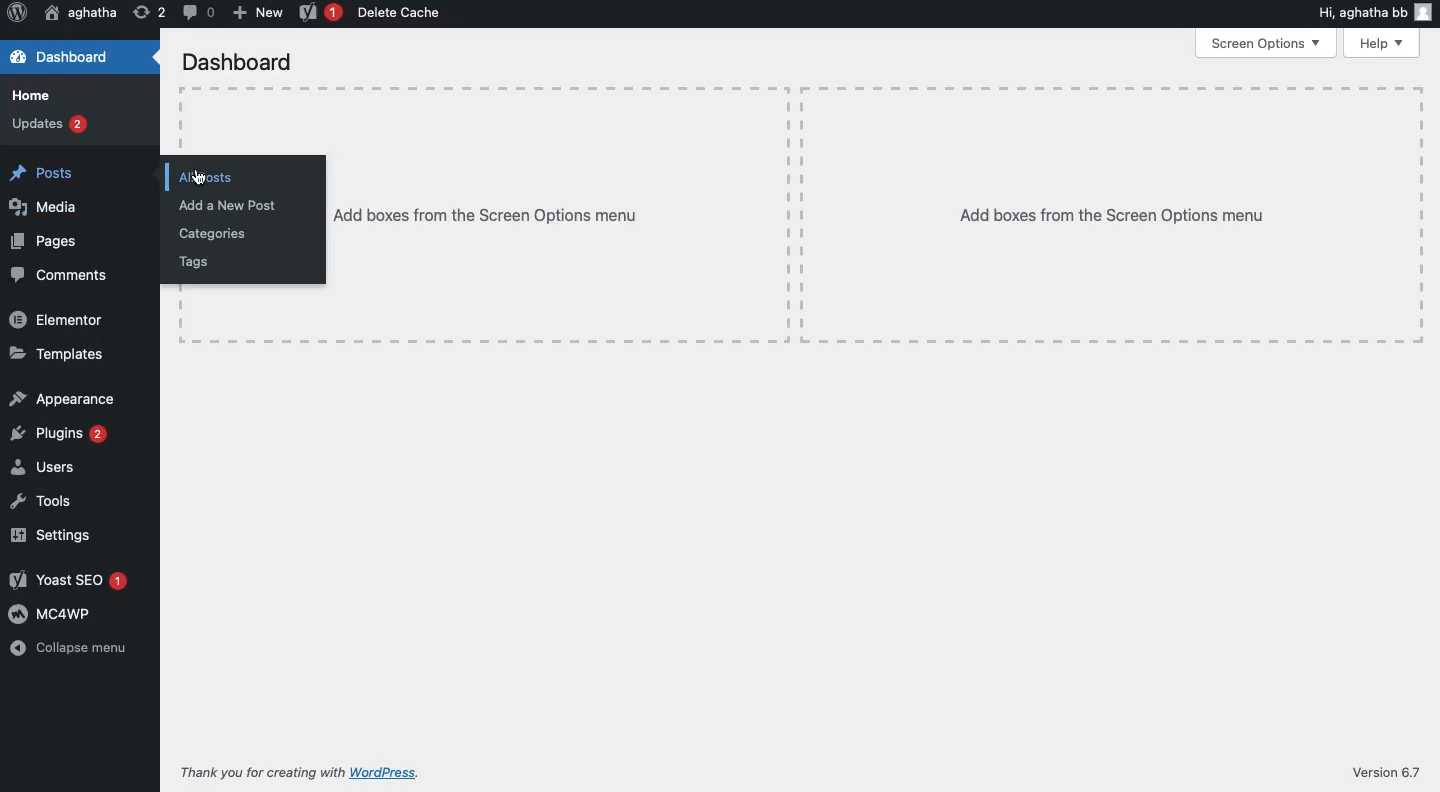 The width and height of the screenshot is (1440, 792). Describe the element at coordinates (197, 262) in the screenshot. I see `Tags` at that location.